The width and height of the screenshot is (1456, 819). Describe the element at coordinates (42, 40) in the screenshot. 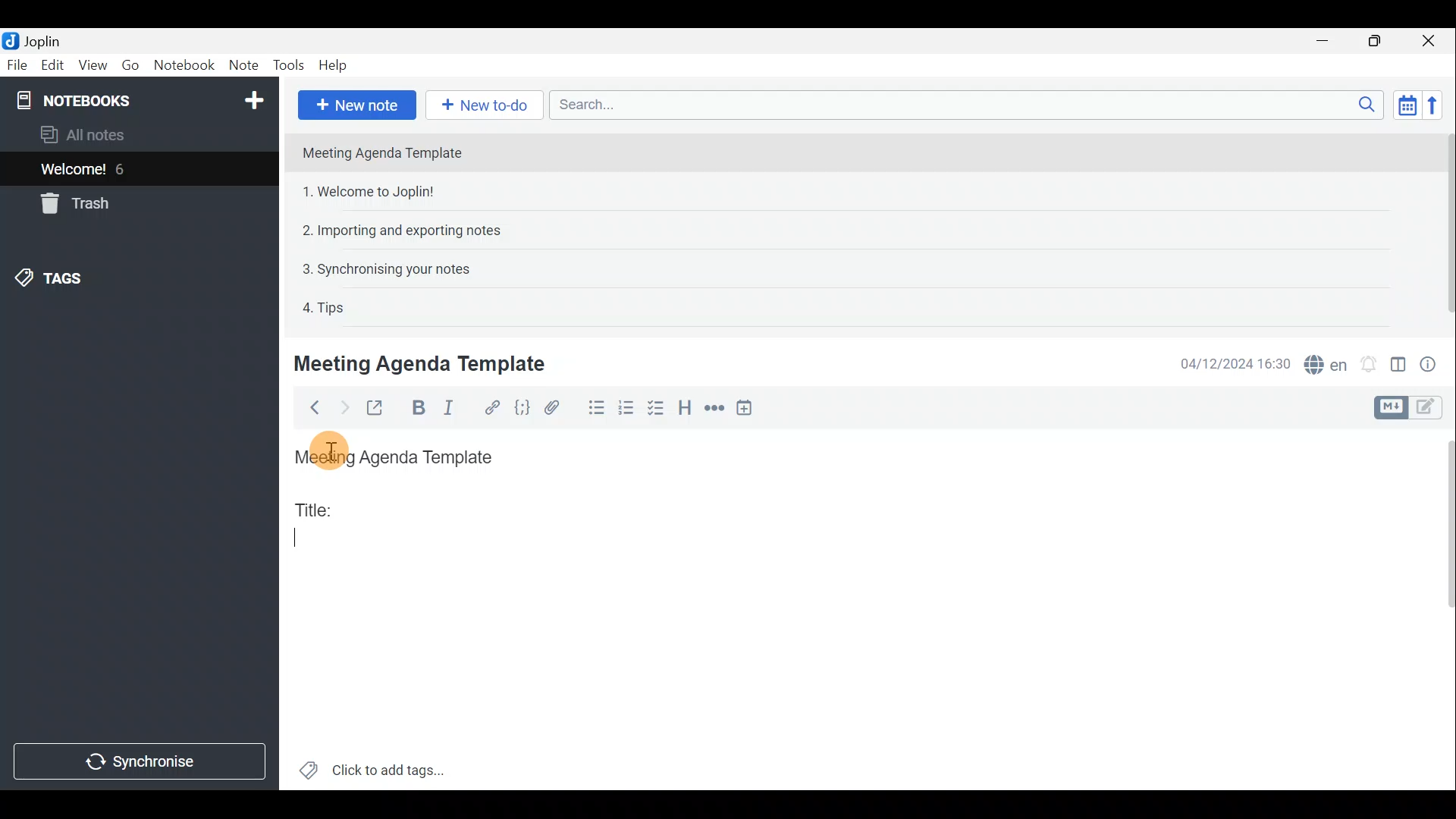

I see `Joplin` at that location.